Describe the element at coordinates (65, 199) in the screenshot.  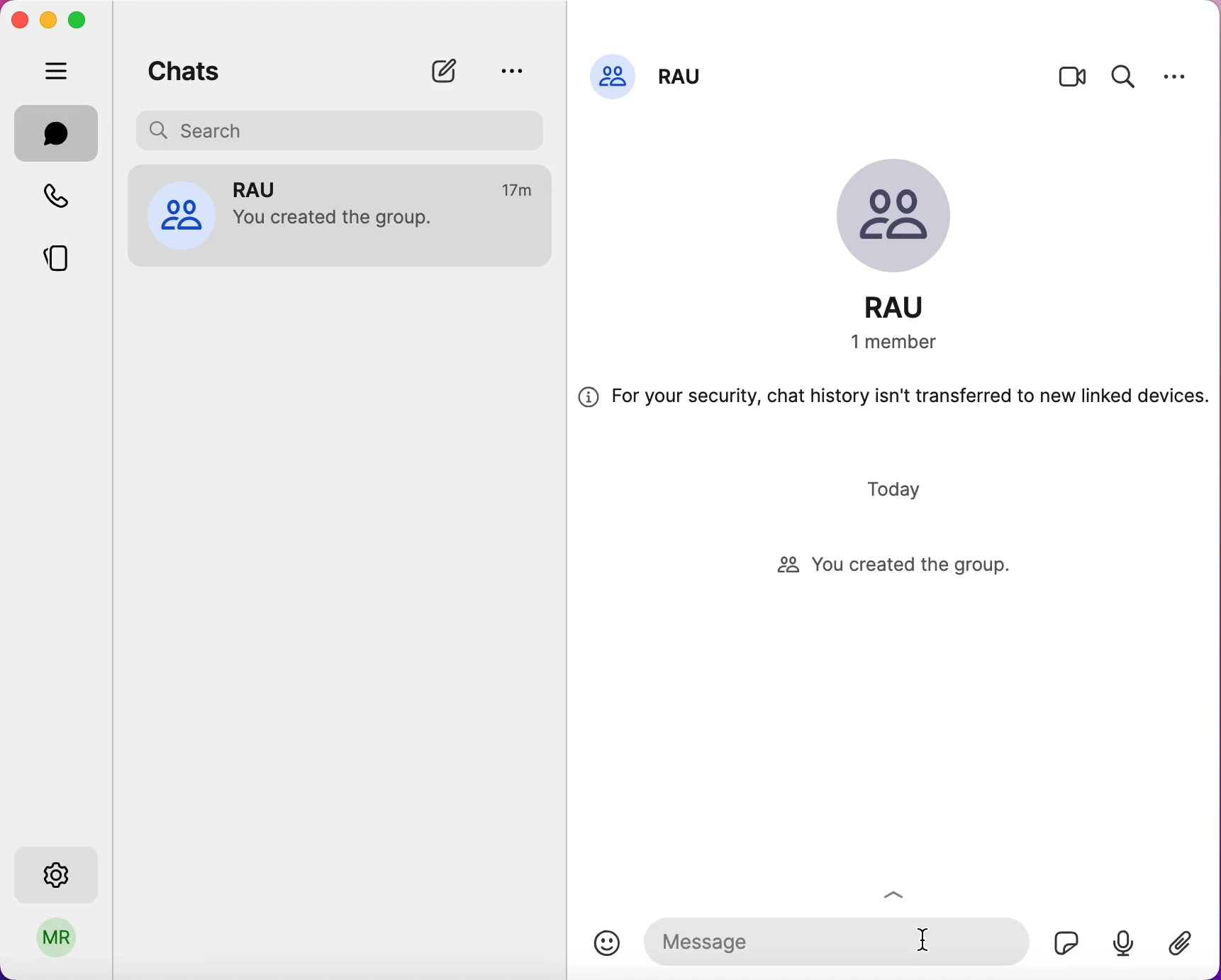
I see `calls` at that location.